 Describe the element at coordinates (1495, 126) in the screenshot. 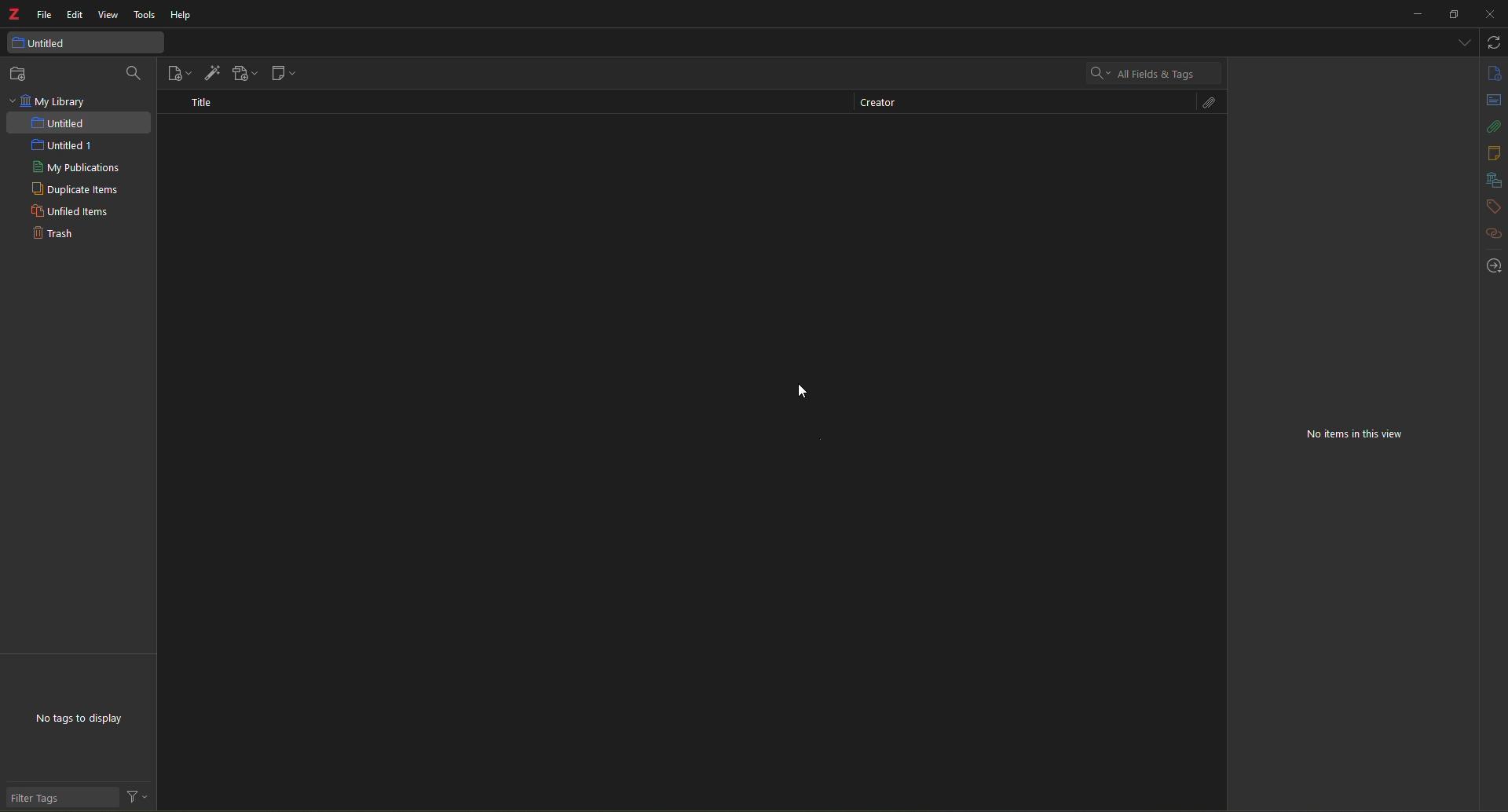

I see `attach` at that location.